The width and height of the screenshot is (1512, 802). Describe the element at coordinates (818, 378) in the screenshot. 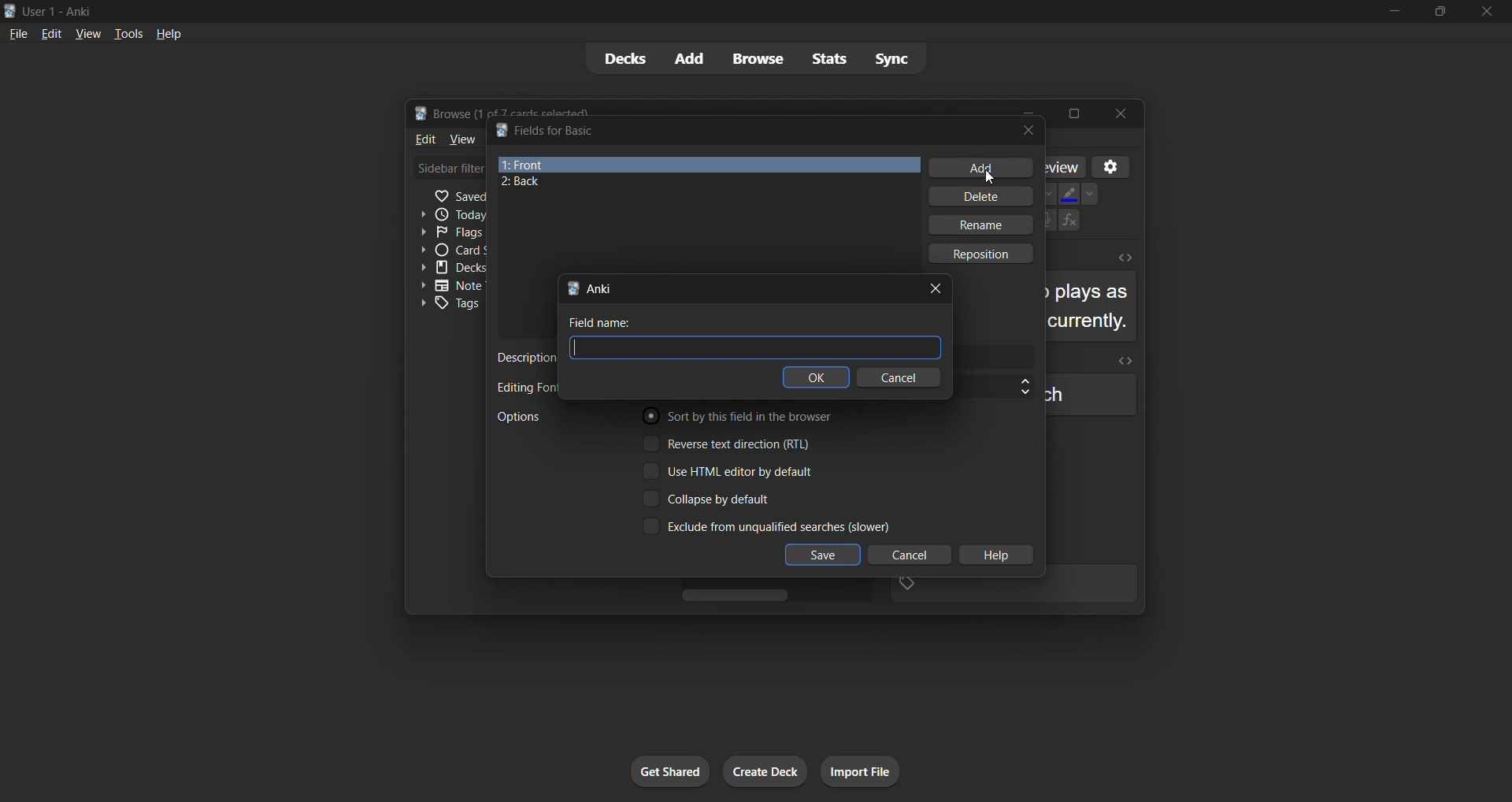

I see `ok` at that location.